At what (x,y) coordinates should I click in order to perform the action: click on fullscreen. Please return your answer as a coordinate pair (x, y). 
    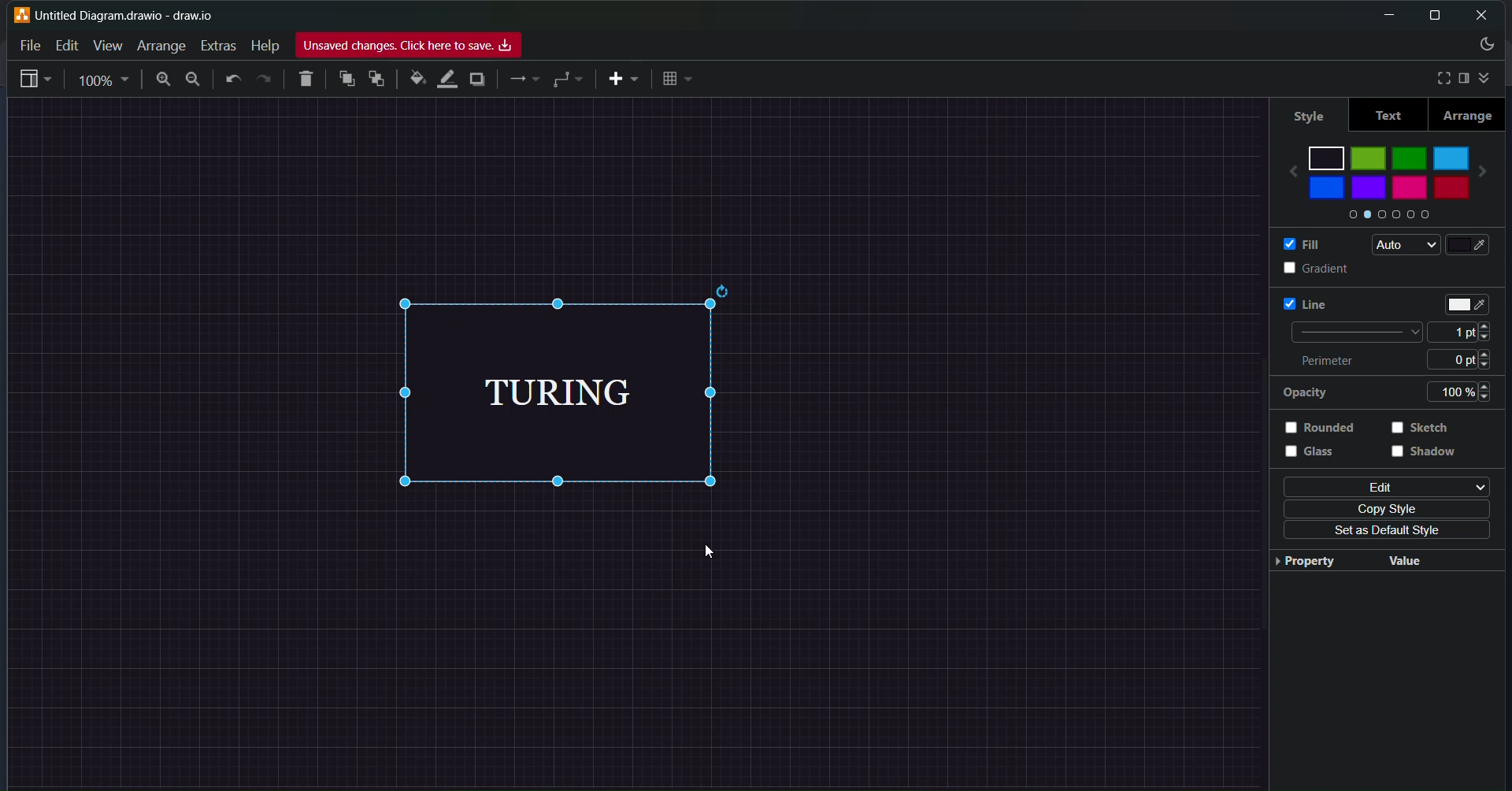
    Looking at the image, I should click on (1437, 77).